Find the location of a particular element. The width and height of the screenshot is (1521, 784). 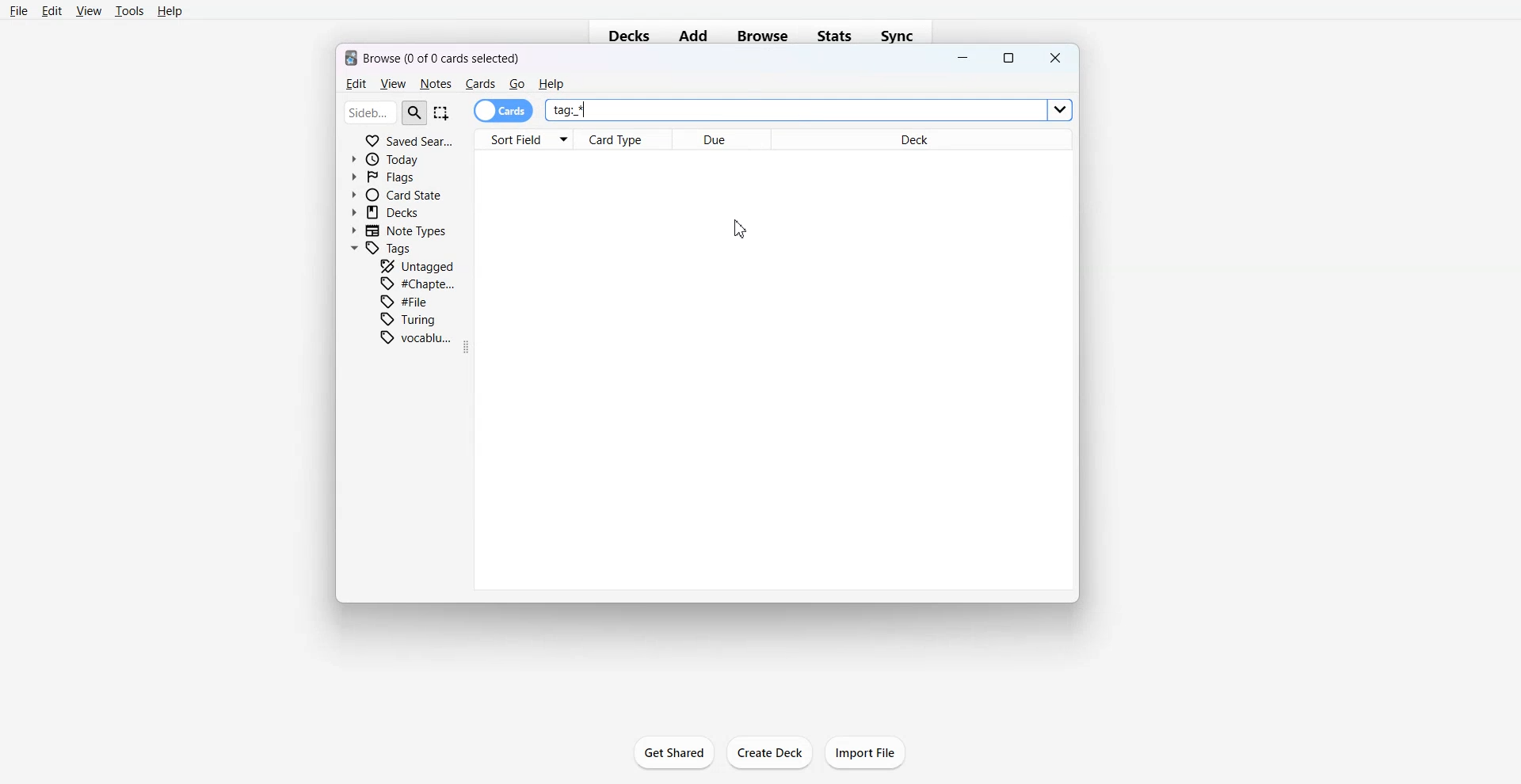

Browse is located at coordinates (762, 32).